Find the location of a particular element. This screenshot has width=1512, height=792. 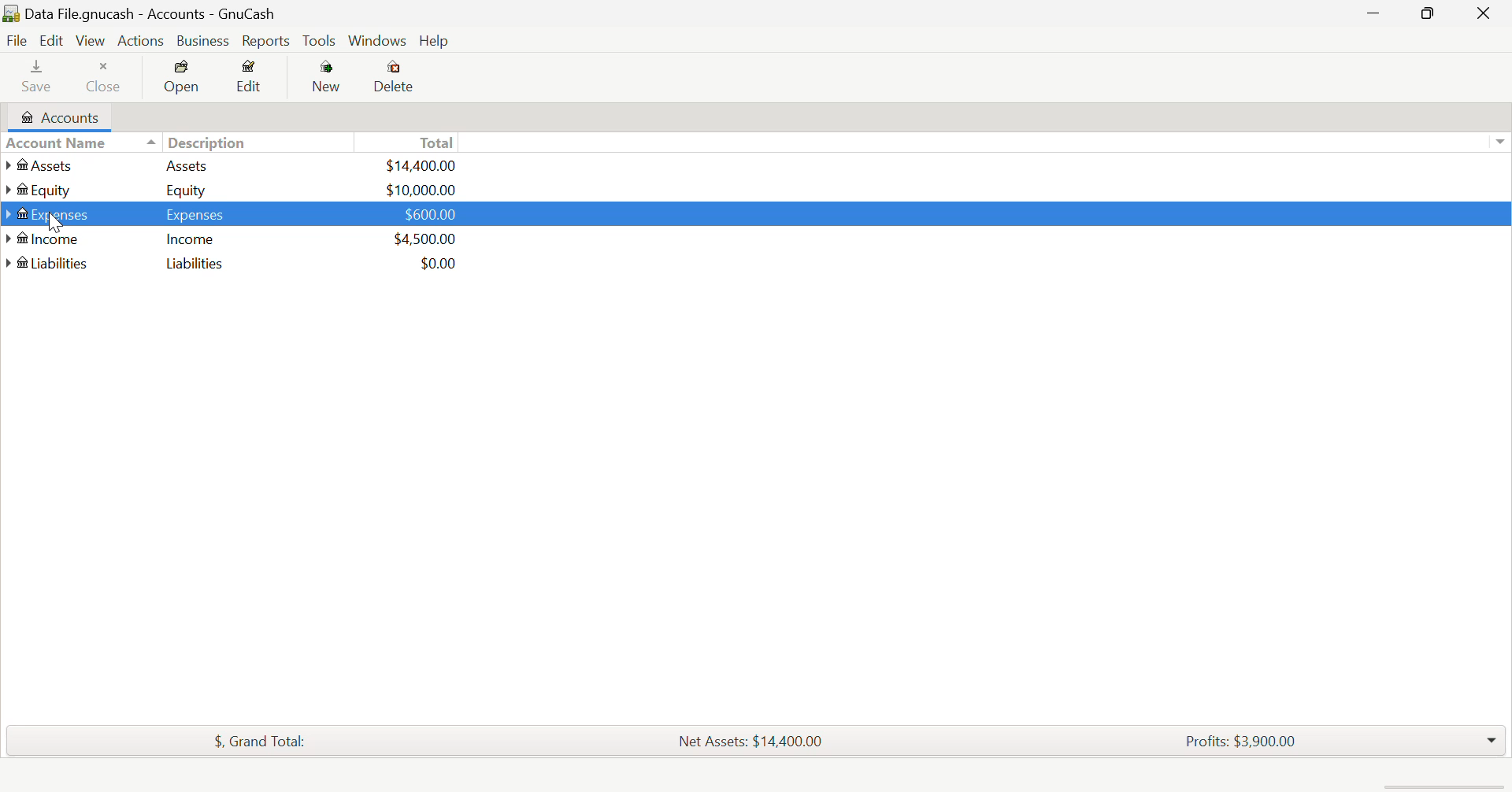

Description is located at coordinates (198, 144).